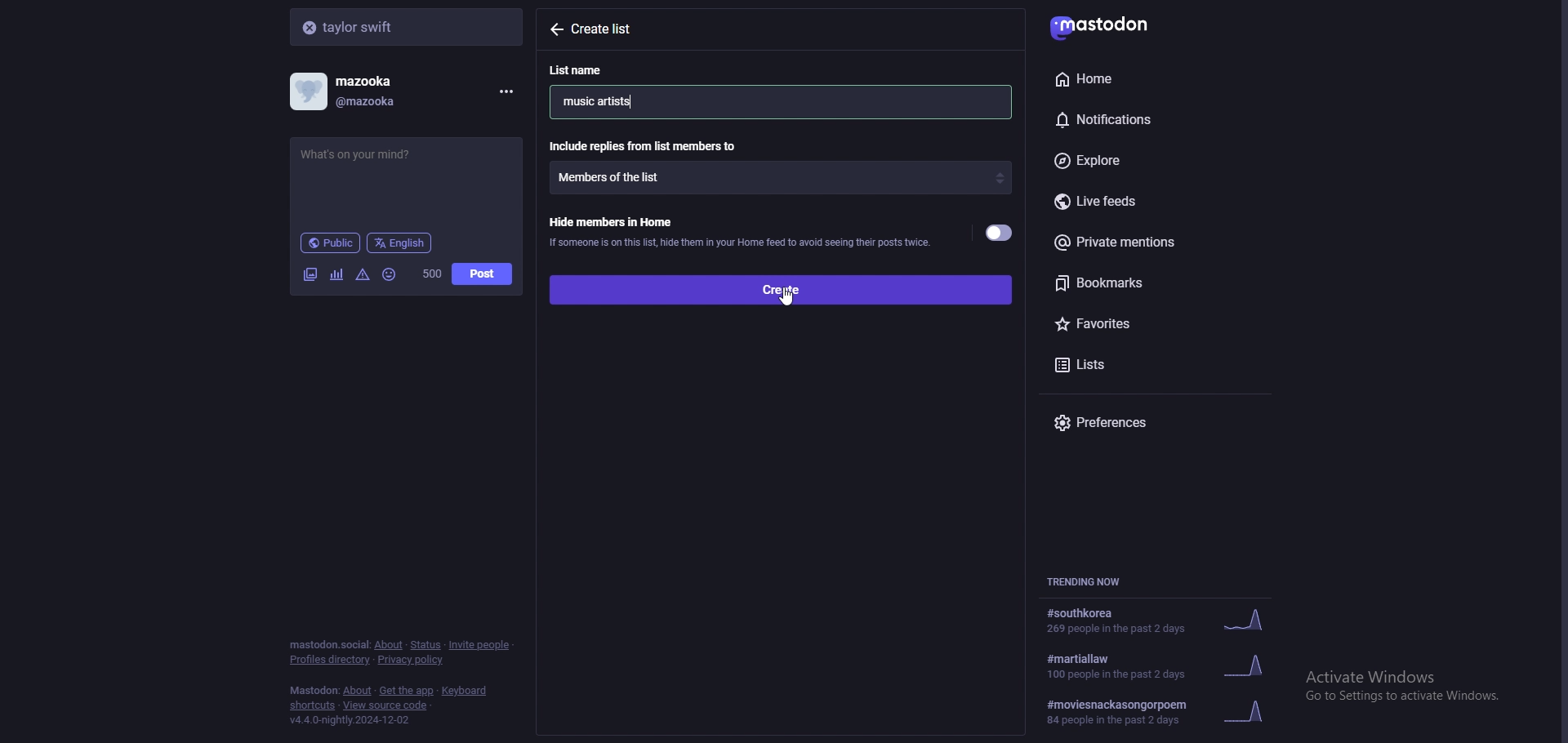 The width and height of the screenshot is (1568, 743). I want to click on keyboard, so click(466, 691).